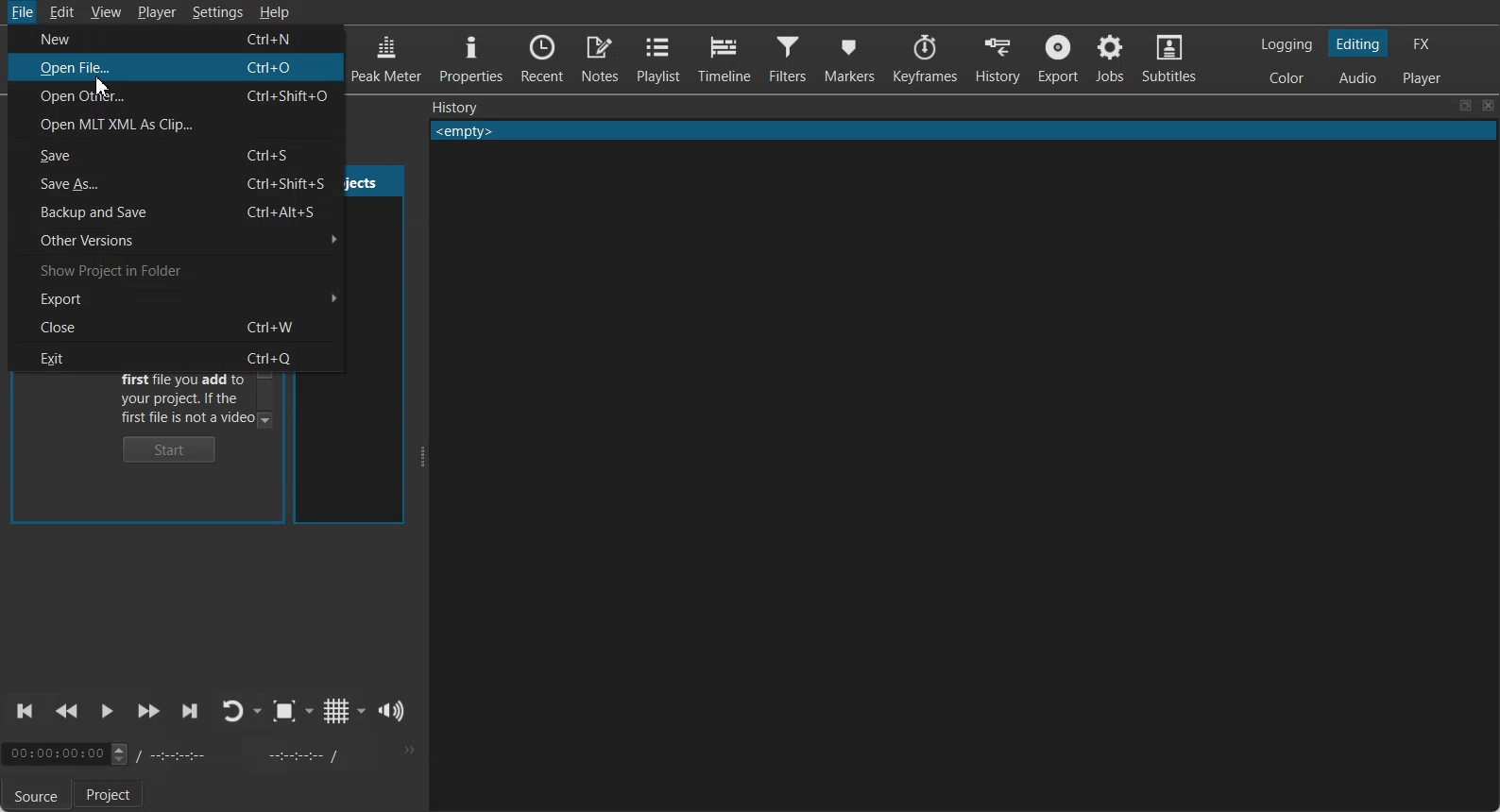 This screenshot has width=1500, height=812. What do you see at coordinates (470, 56) in the screenshot?
I see `Properties` at bounding box center [470, 56].